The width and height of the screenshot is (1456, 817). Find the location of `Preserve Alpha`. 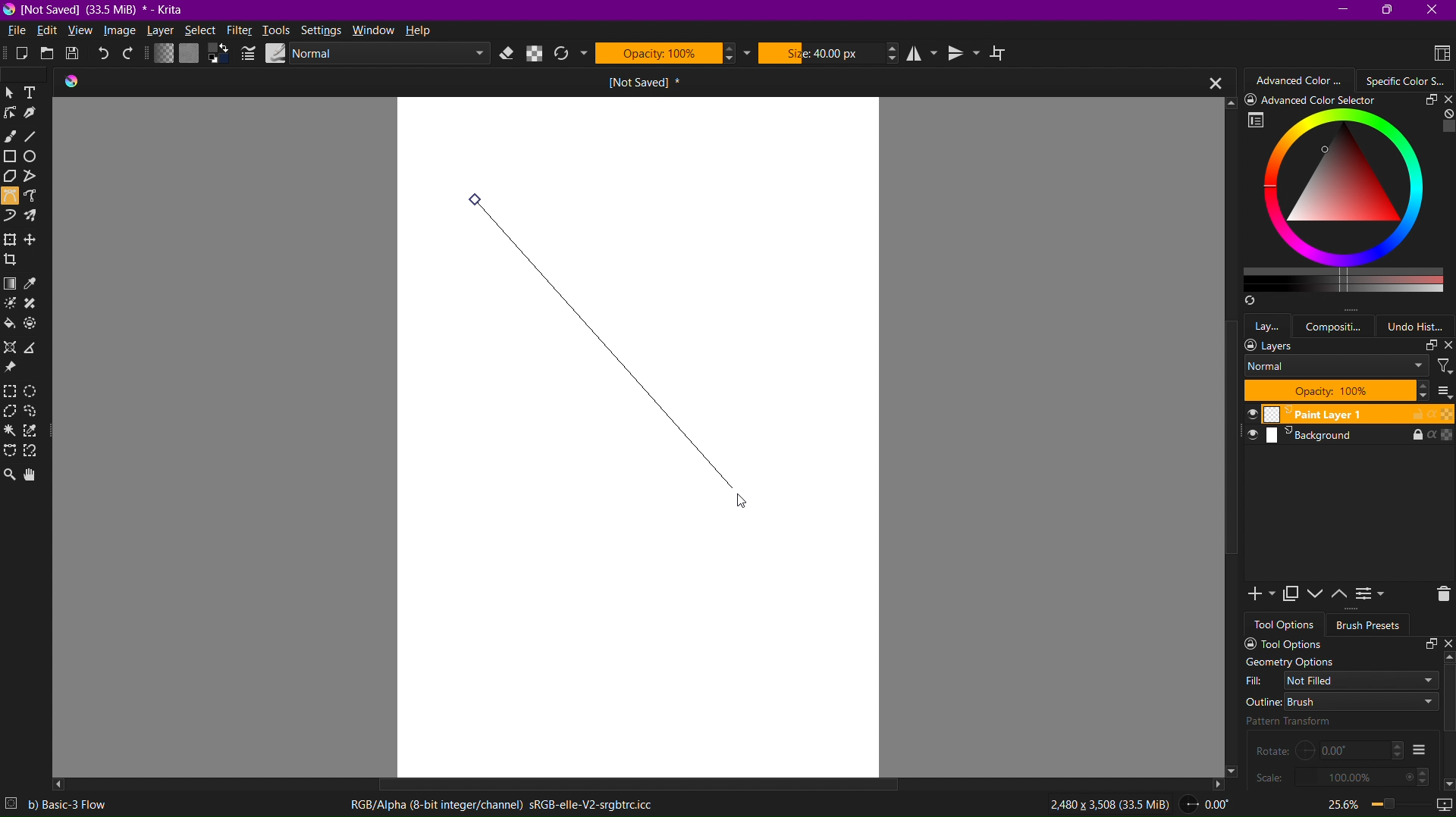

Preserve Alpha is located at coordinates (535, 54).